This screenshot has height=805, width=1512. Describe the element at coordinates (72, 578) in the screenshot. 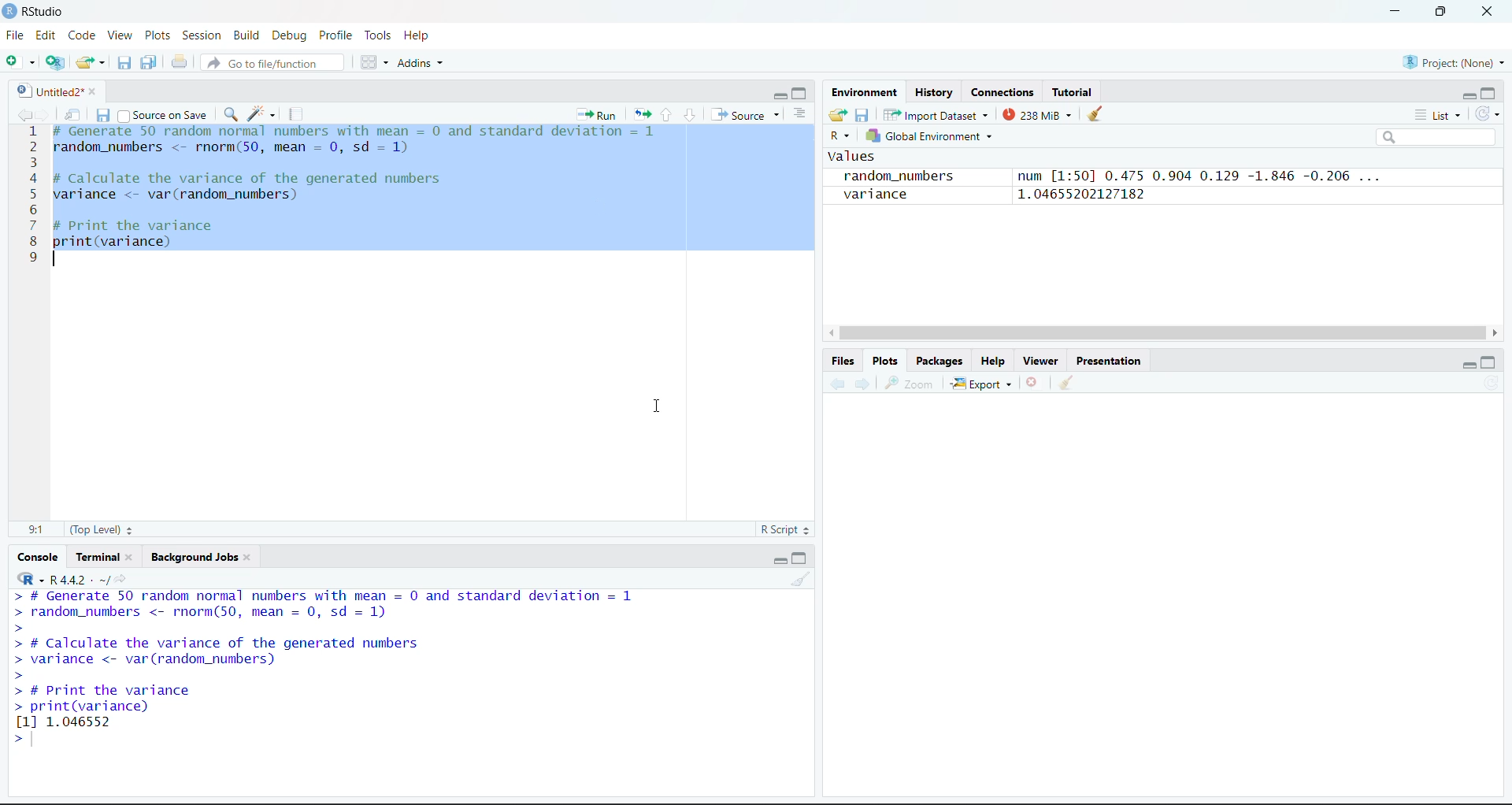

I see `R 4.4.2 ~/` at that location.